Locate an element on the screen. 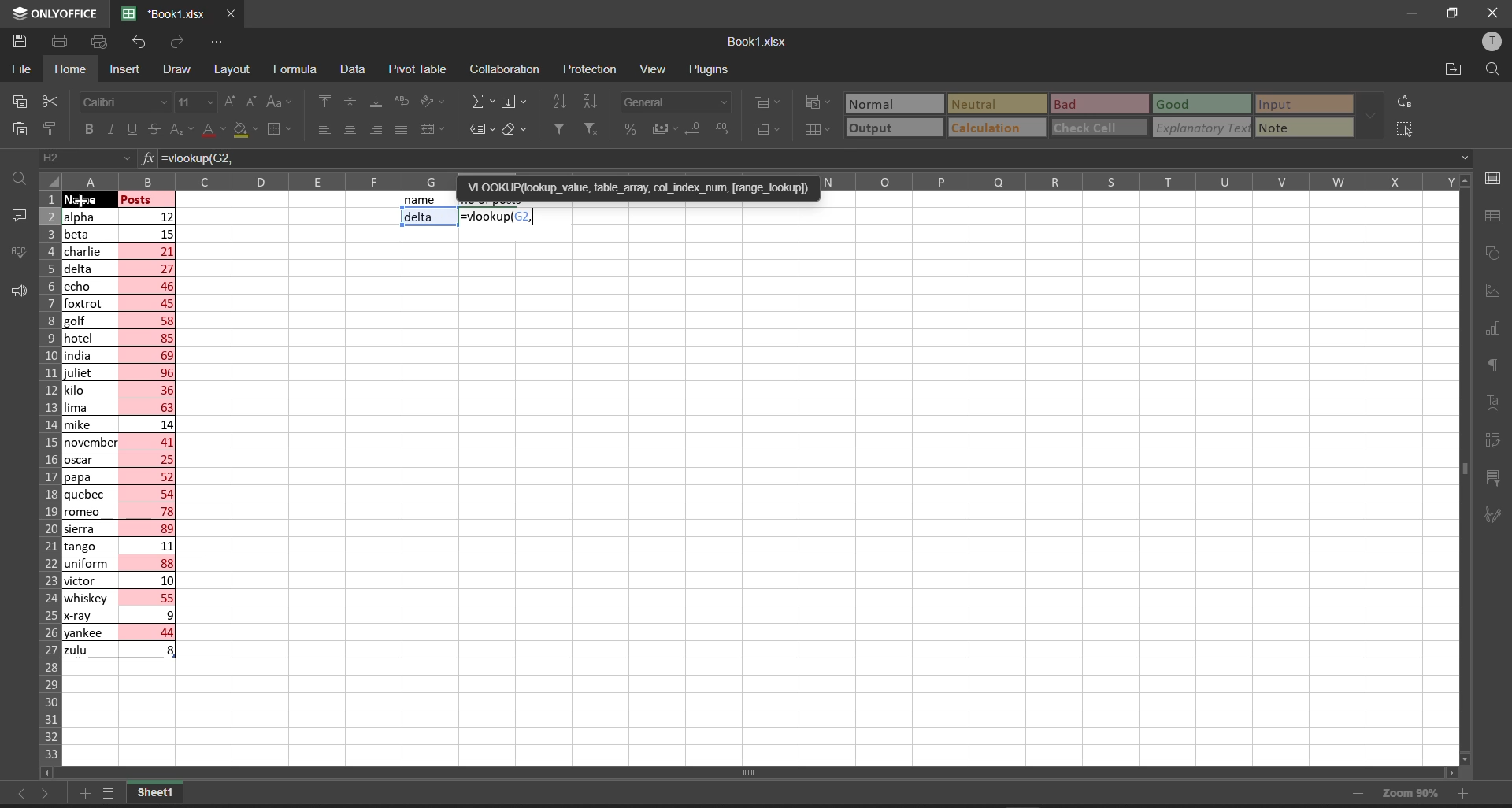 Image resolution: width=1512 pixels, height=808 pixels. cut is located at coordinates (51, 98).